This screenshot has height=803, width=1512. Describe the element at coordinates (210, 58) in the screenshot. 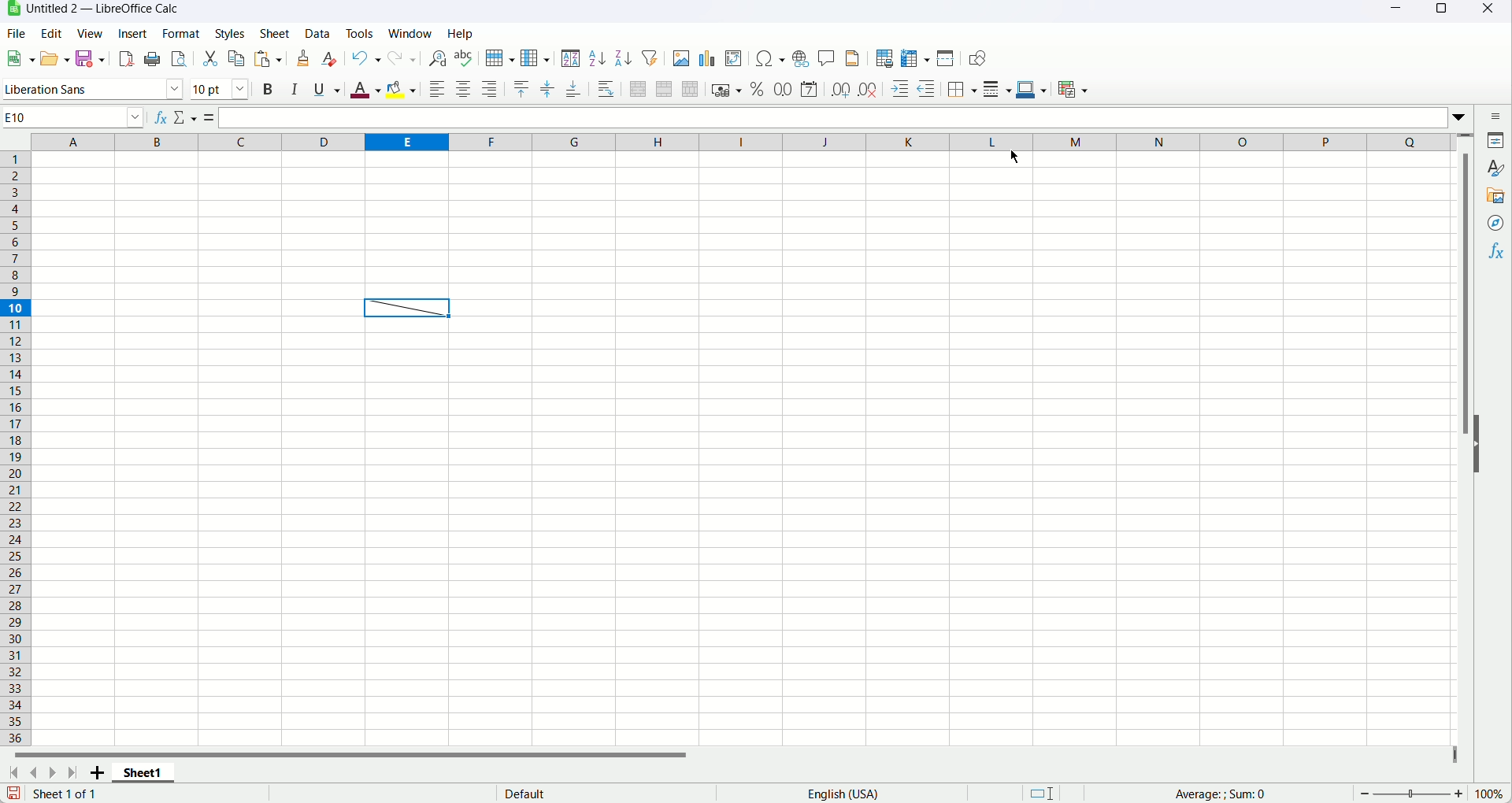

I see `Cut` at that location.